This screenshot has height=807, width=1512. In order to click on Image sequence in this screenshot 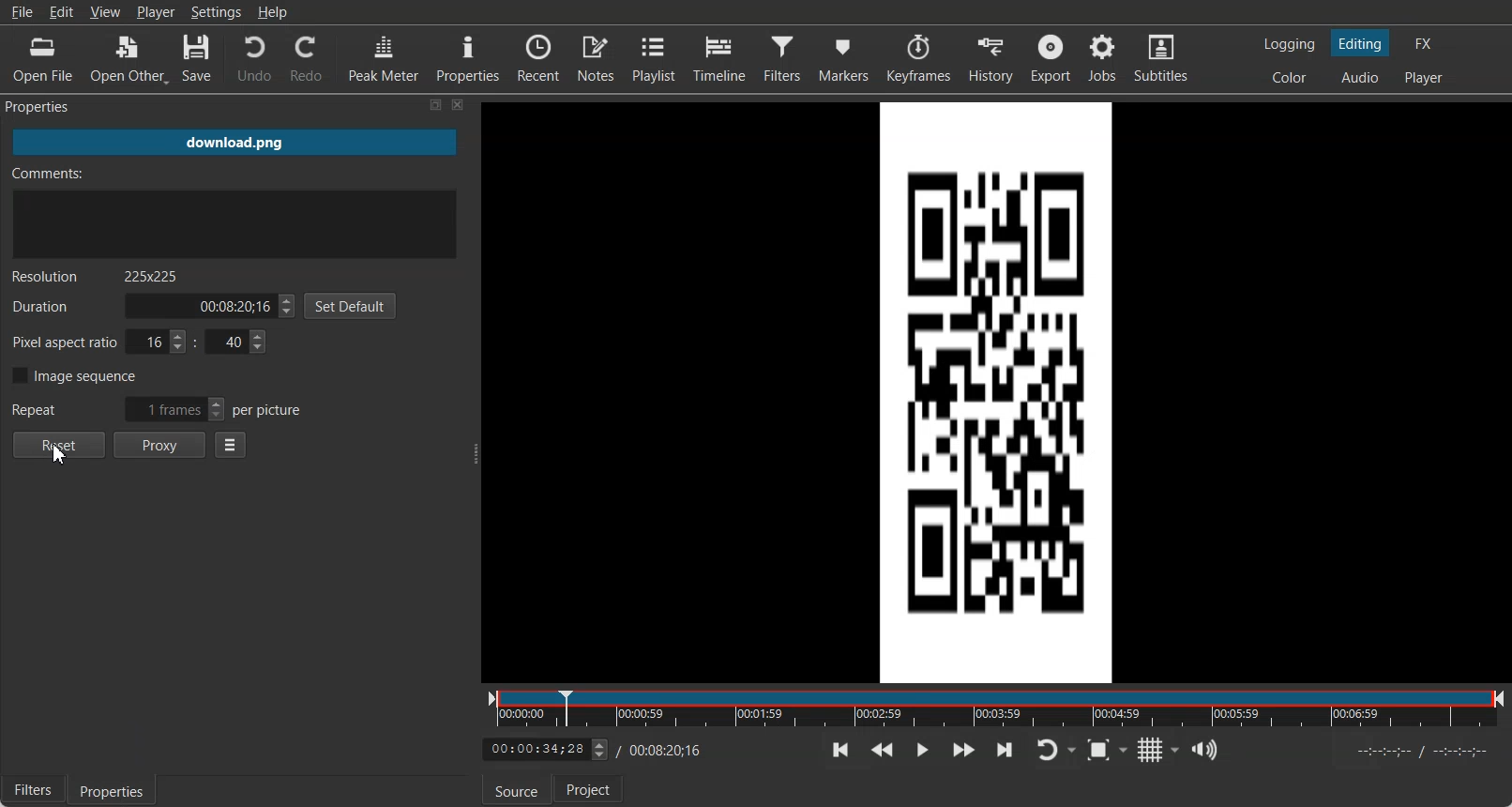, I will do `click(73, 374)`.